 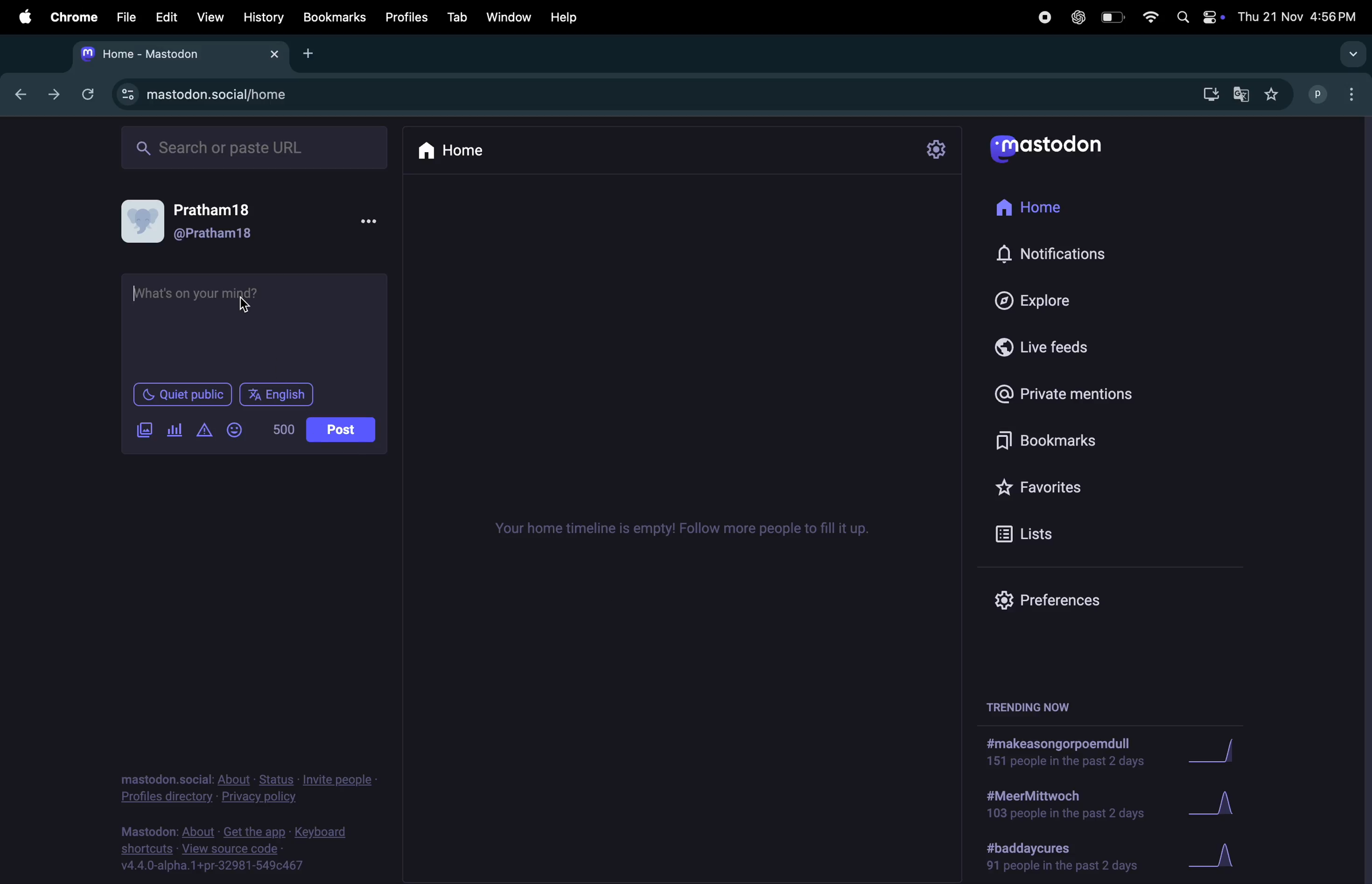 What do you see at coordinates (1351, 54) in the screenshot?
I see `search tabs` at bounding box center [1351, 54].